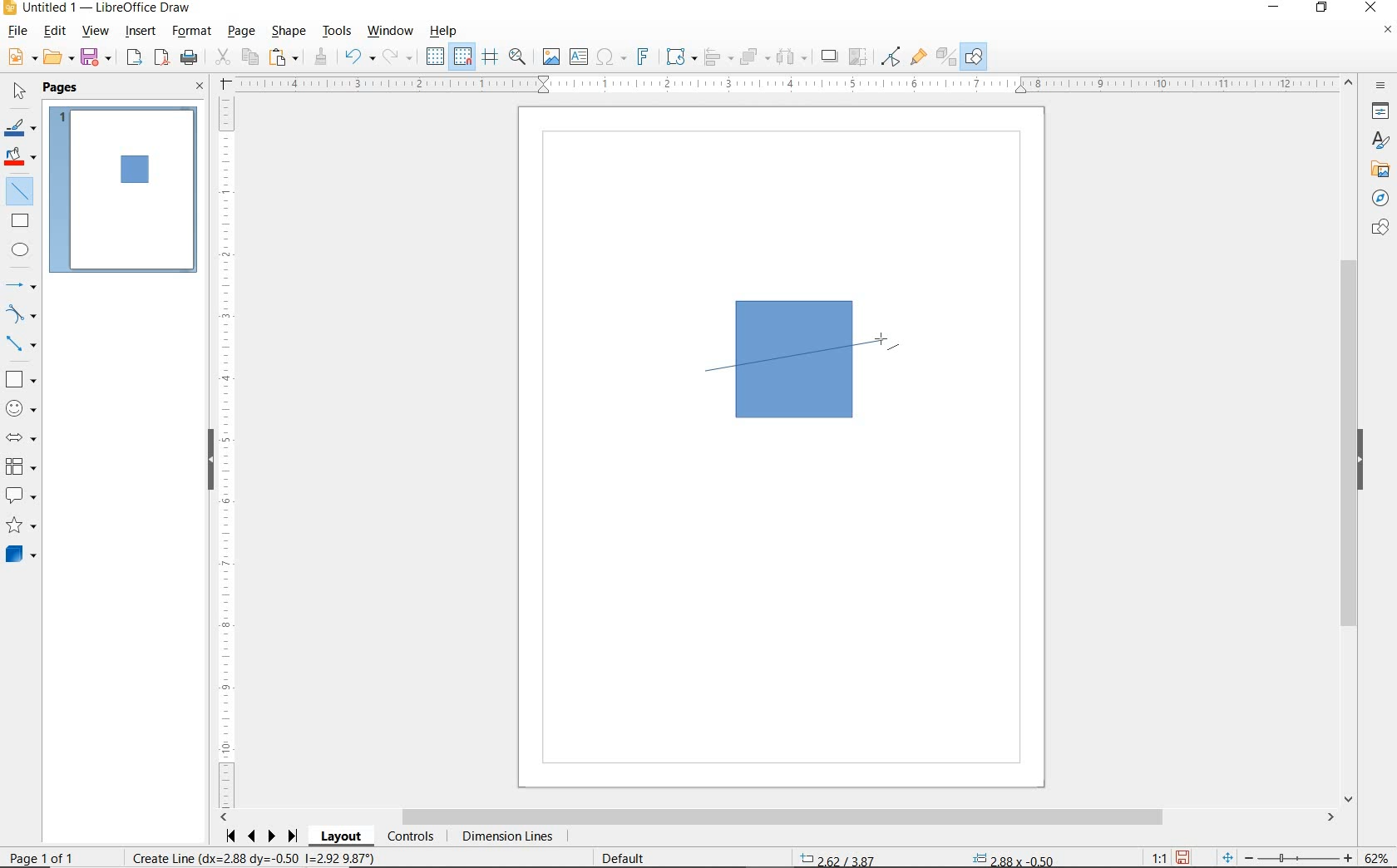 The width and height of the screenshot is (1397, 868). What do you see at coordinates (917, 56) in the screenshot?
I see `SHOW GLUEPOINT FUNCTIONS` at bounding box center [917, 56].